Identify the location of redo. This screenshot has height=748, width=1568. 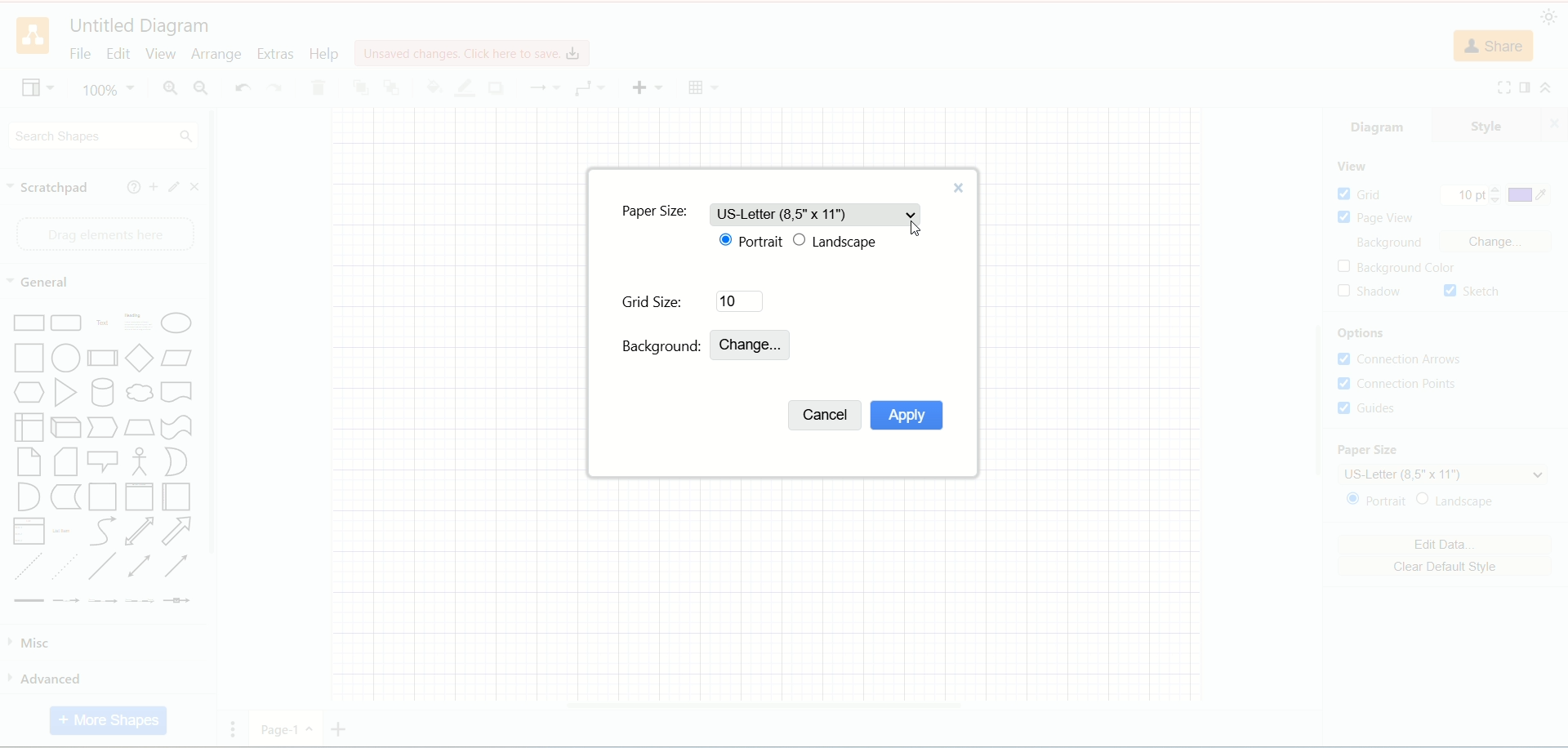
(274, 89).